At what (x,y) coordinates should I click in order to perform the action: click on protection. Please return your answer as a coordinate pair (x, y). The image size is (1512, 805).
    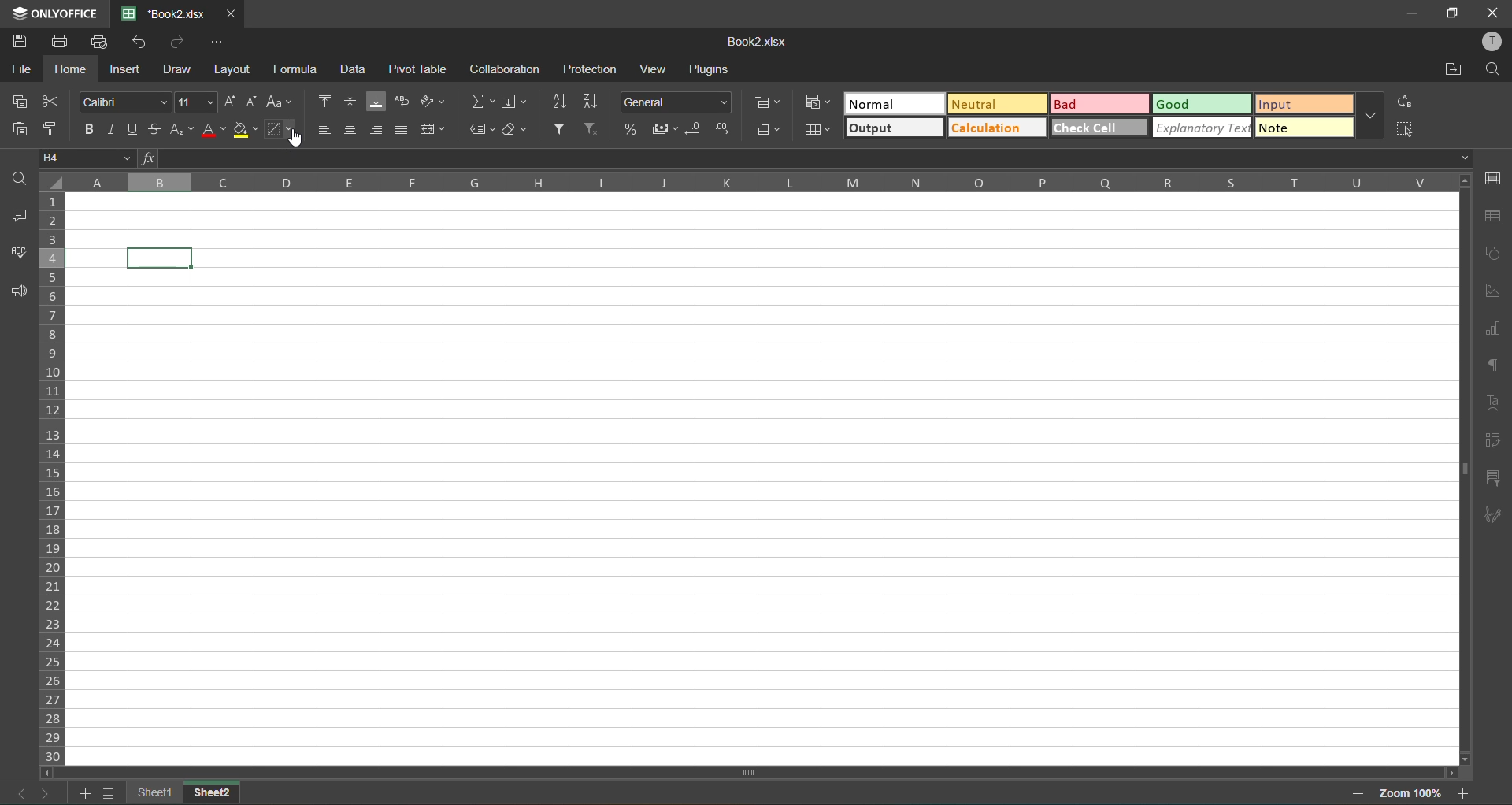
    Looking at the image, I should click on (587, 70).